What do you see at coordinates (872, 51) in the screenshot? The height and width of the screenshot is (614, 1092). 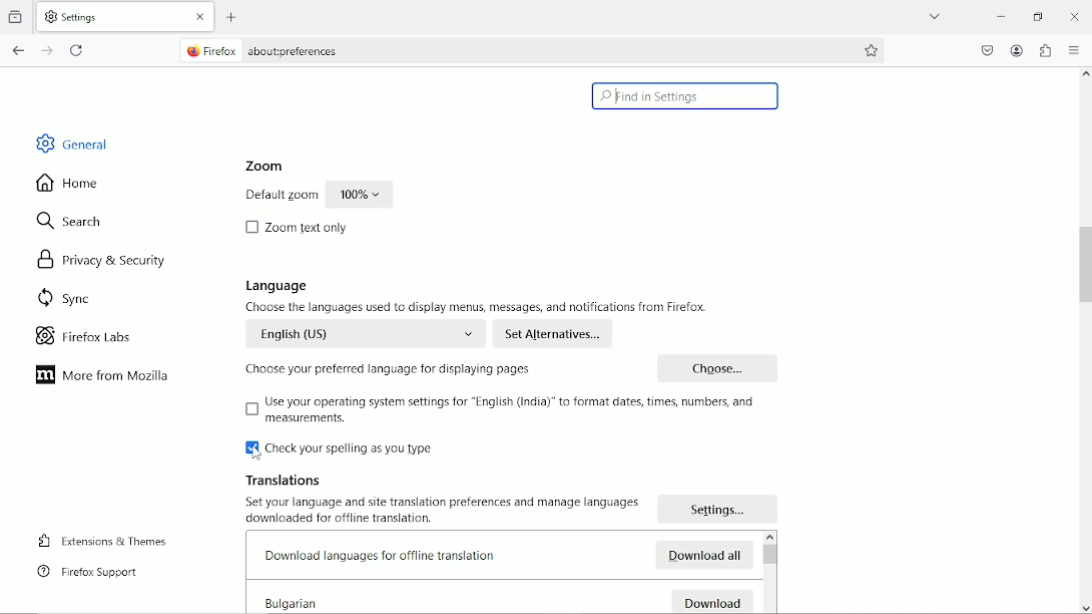 I see `Bookmark this page` at bounding box center [872, 51].